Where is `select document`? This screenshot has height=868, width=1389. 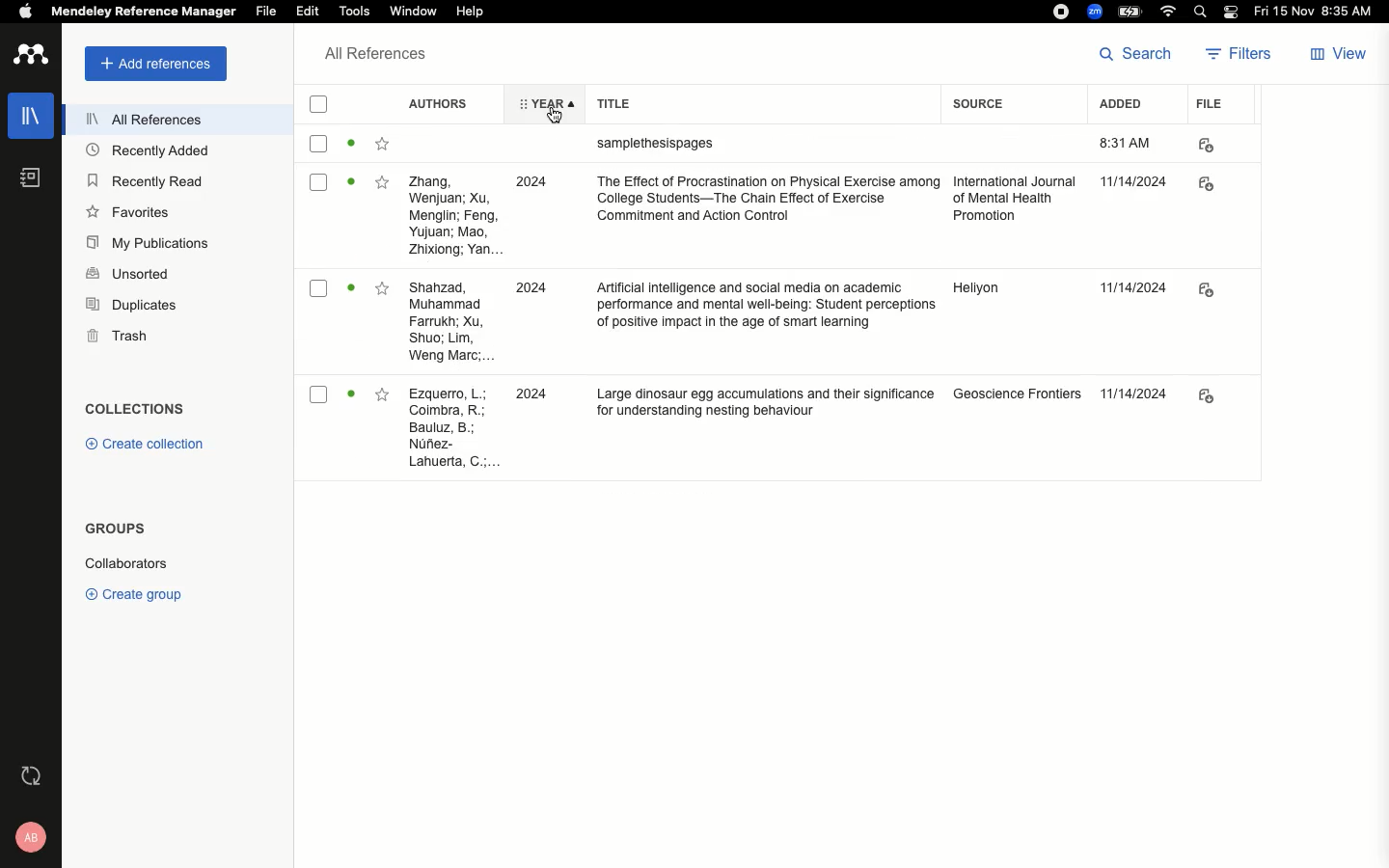
select document is located at coordinates (318, 147).